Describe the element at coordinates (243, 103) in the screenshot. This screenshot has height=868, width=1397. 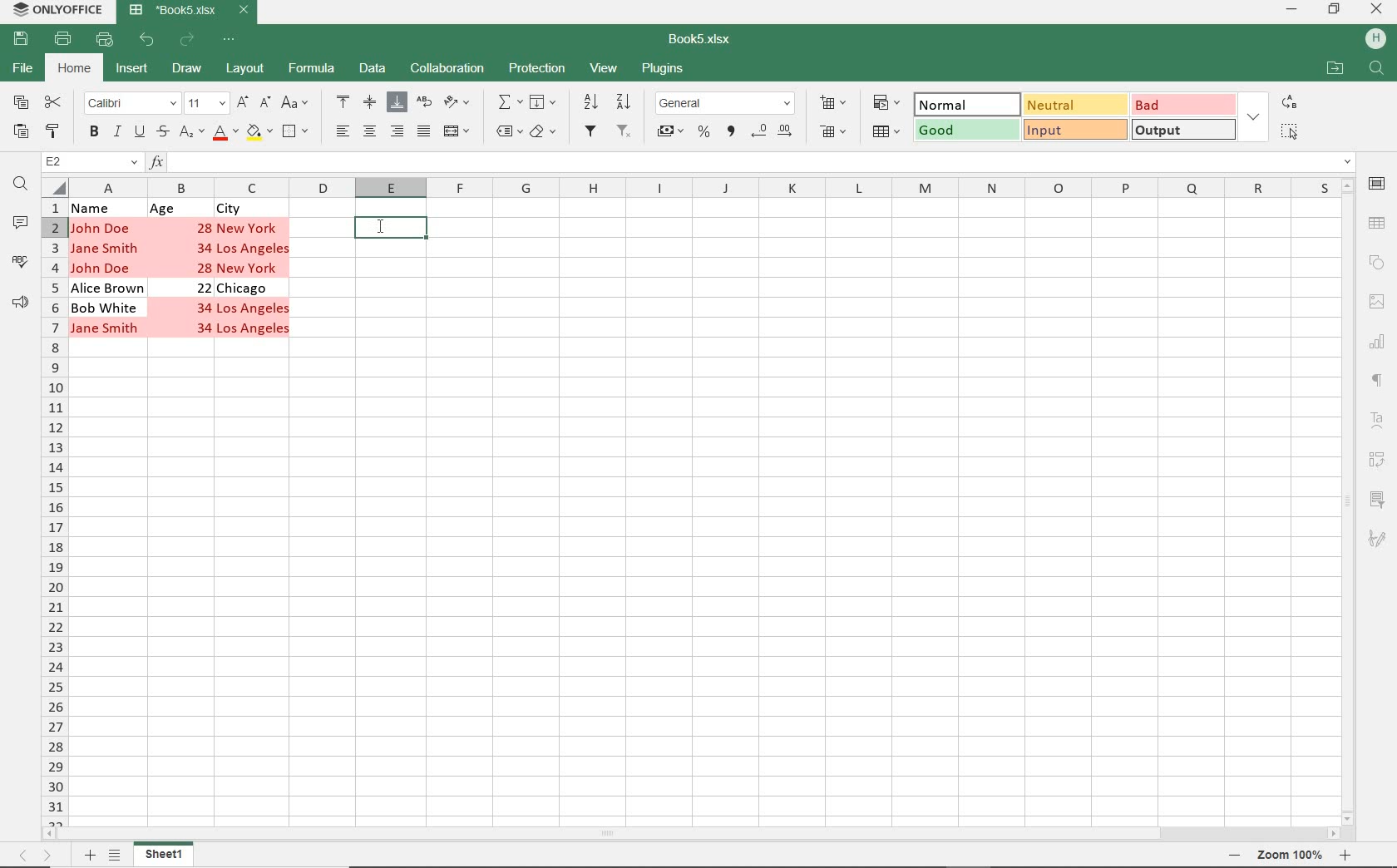
I see `INCREMENT FONT SIZE` at that location.